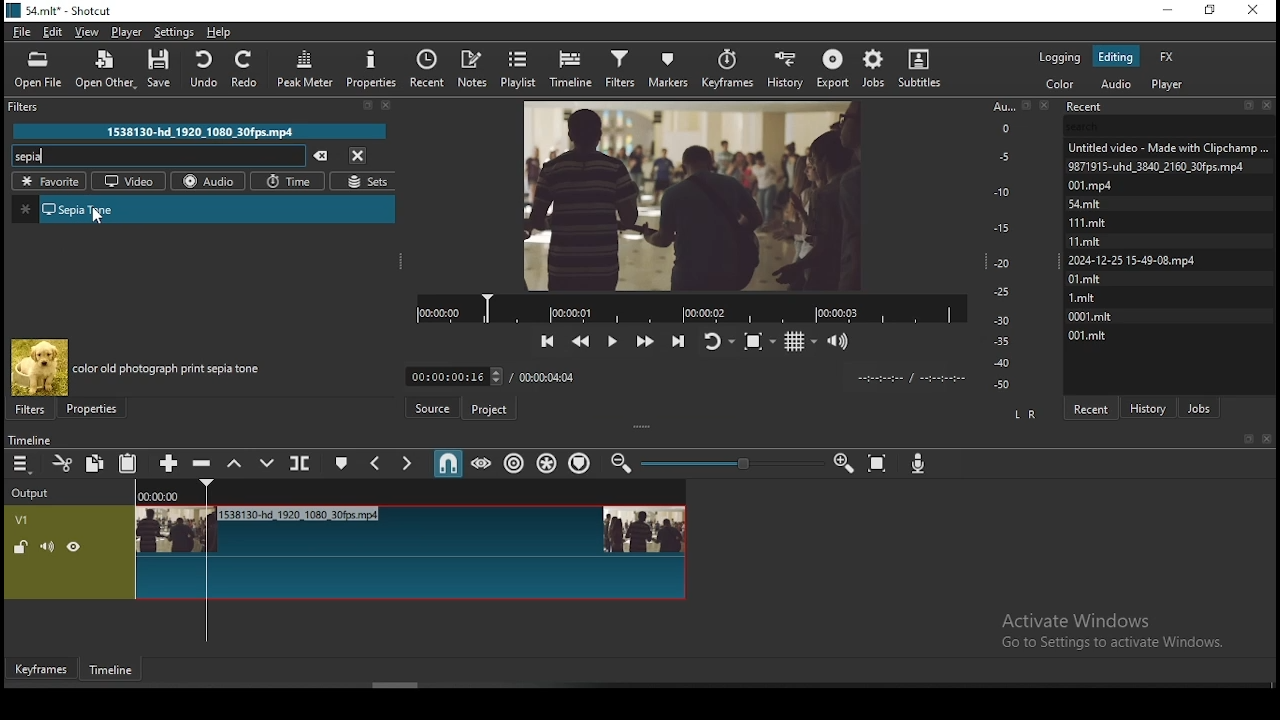 Image resolution: width=1280 pixels, height=720 pixels. What do you see at coordinates (447, 374) in the screenshot?
I see `elapsed time` at bounding box center [447, 374].